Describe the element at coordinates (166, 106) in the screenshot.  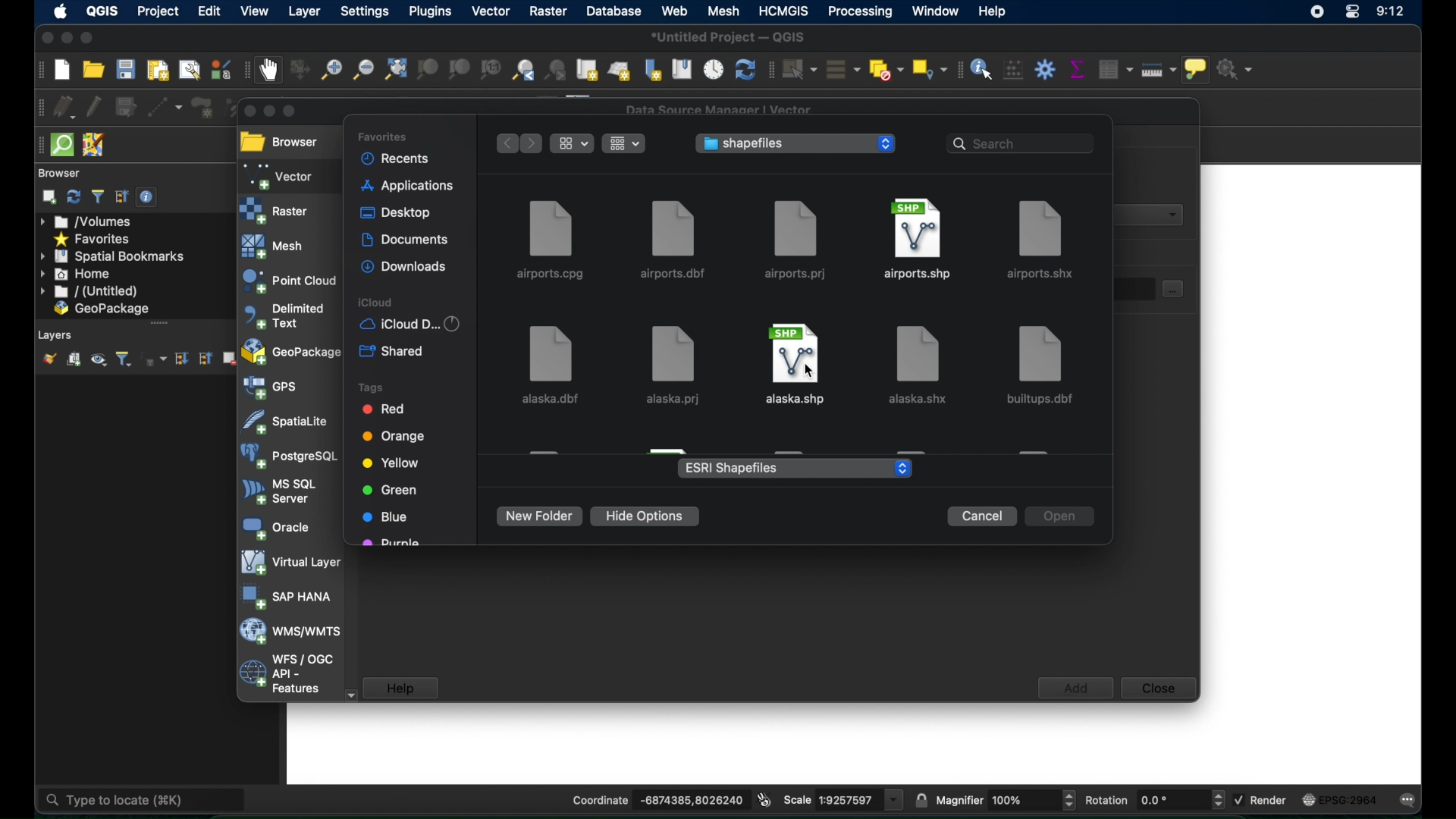
I see `digitize with segment` at that location.